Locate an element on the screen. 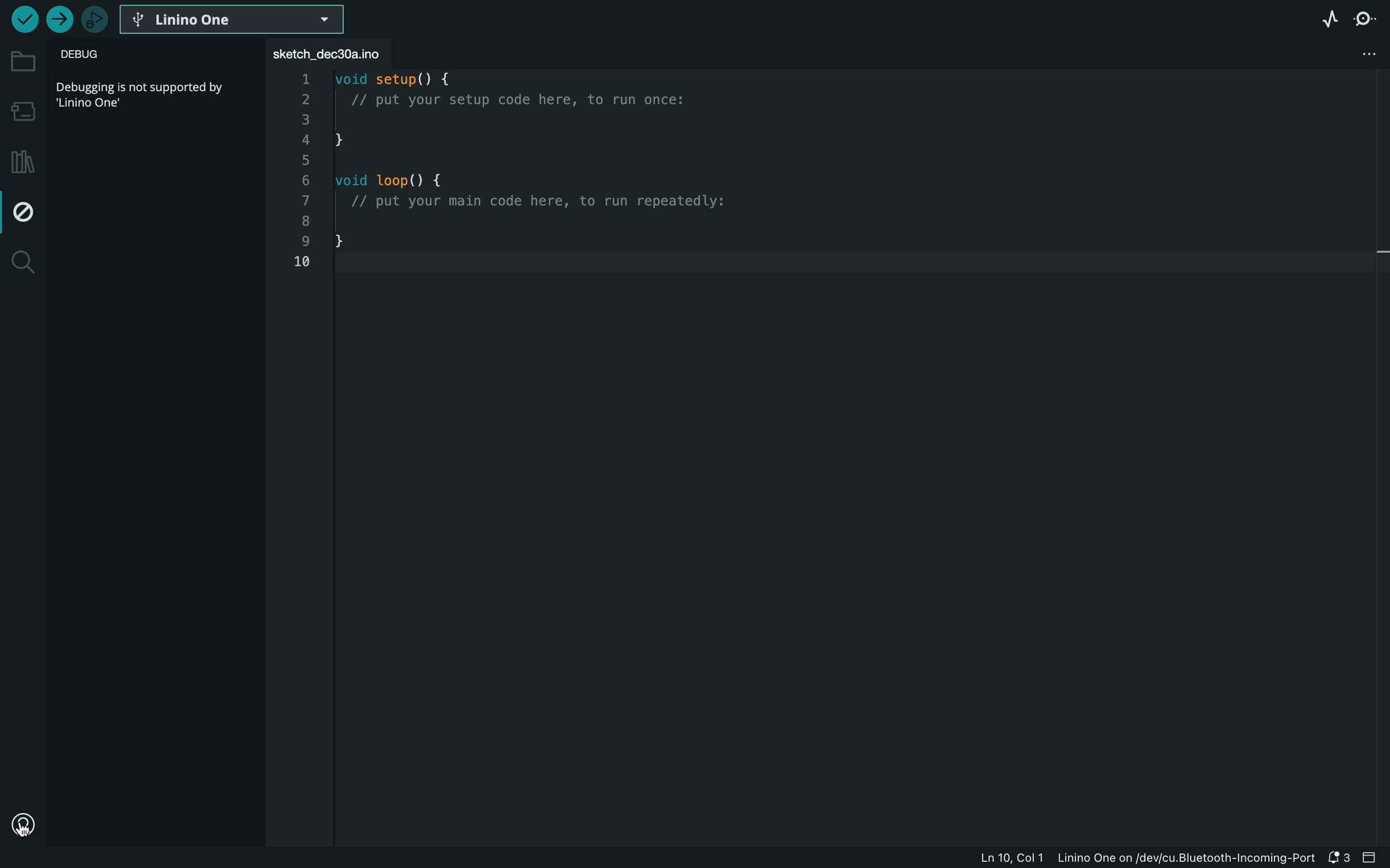 This screenshot has height=868, width=1390. board selecter is located at coordinates (234, 20).